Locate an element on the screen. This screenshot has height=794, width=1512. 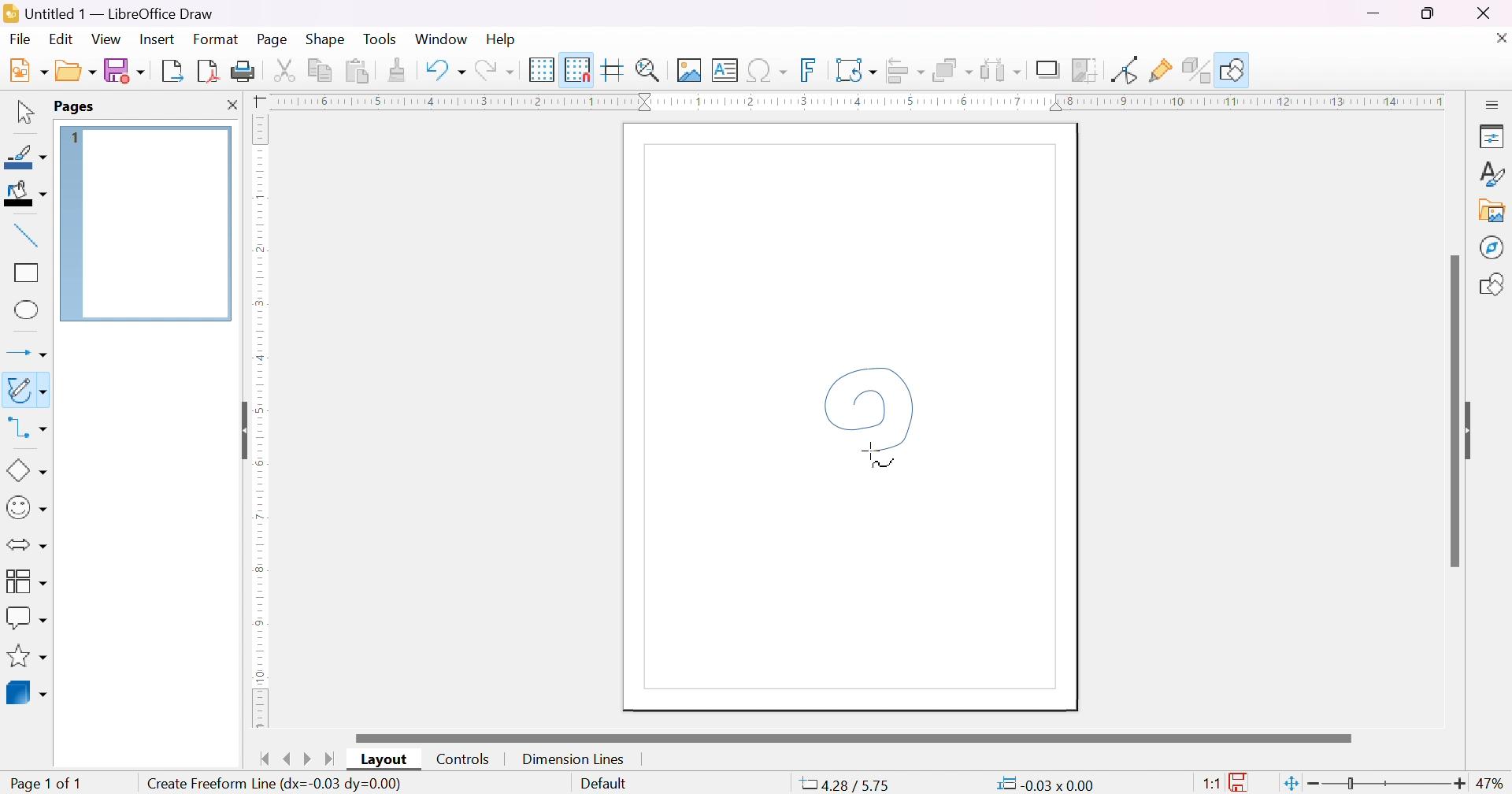
47% is located at coordinates (1492, 785).